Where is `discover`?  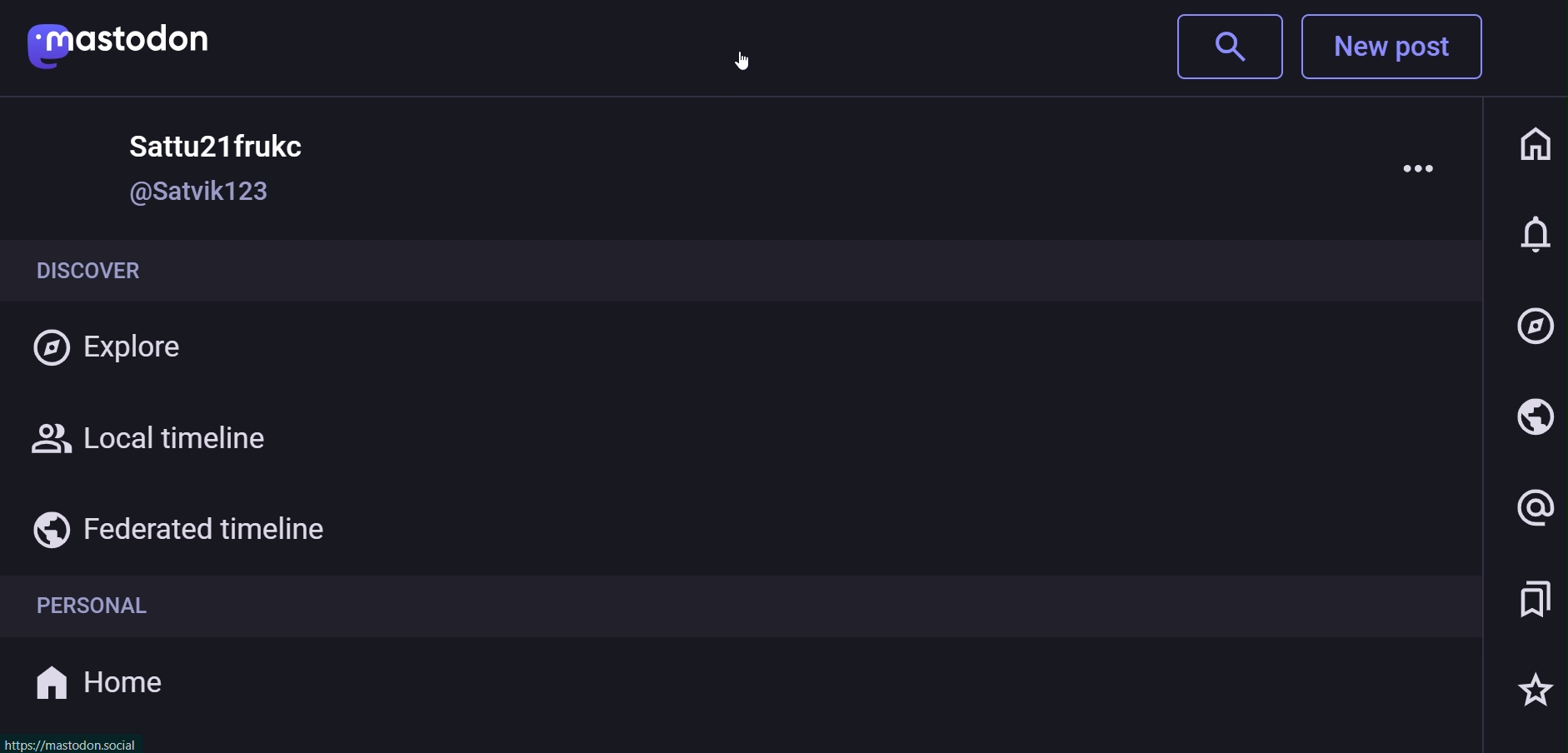 discover is located at coordinates (117, 270).